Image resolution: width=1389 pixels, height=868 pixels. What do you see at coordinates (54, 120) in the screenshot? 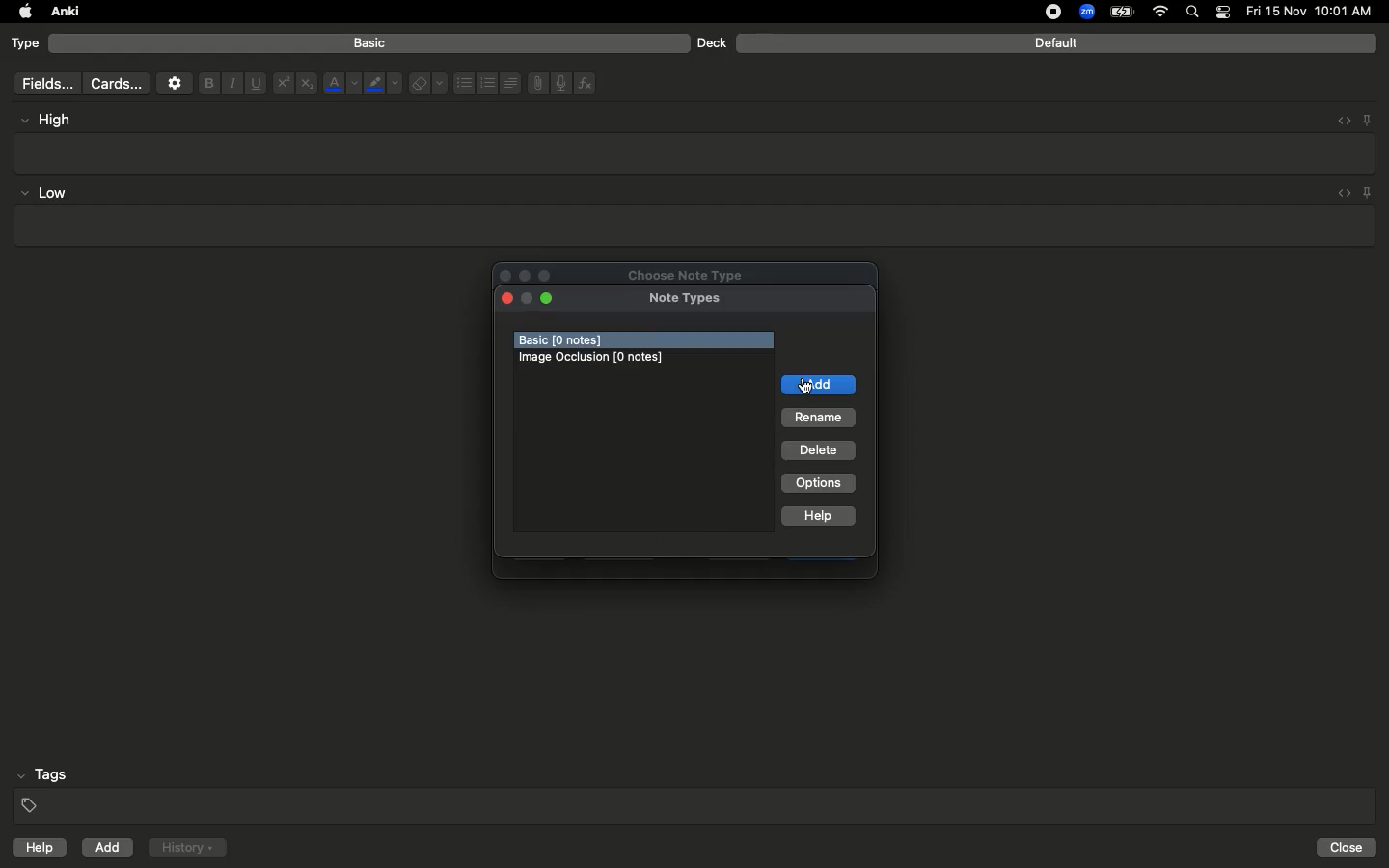
I see `High` at bounding box center [54, 120].